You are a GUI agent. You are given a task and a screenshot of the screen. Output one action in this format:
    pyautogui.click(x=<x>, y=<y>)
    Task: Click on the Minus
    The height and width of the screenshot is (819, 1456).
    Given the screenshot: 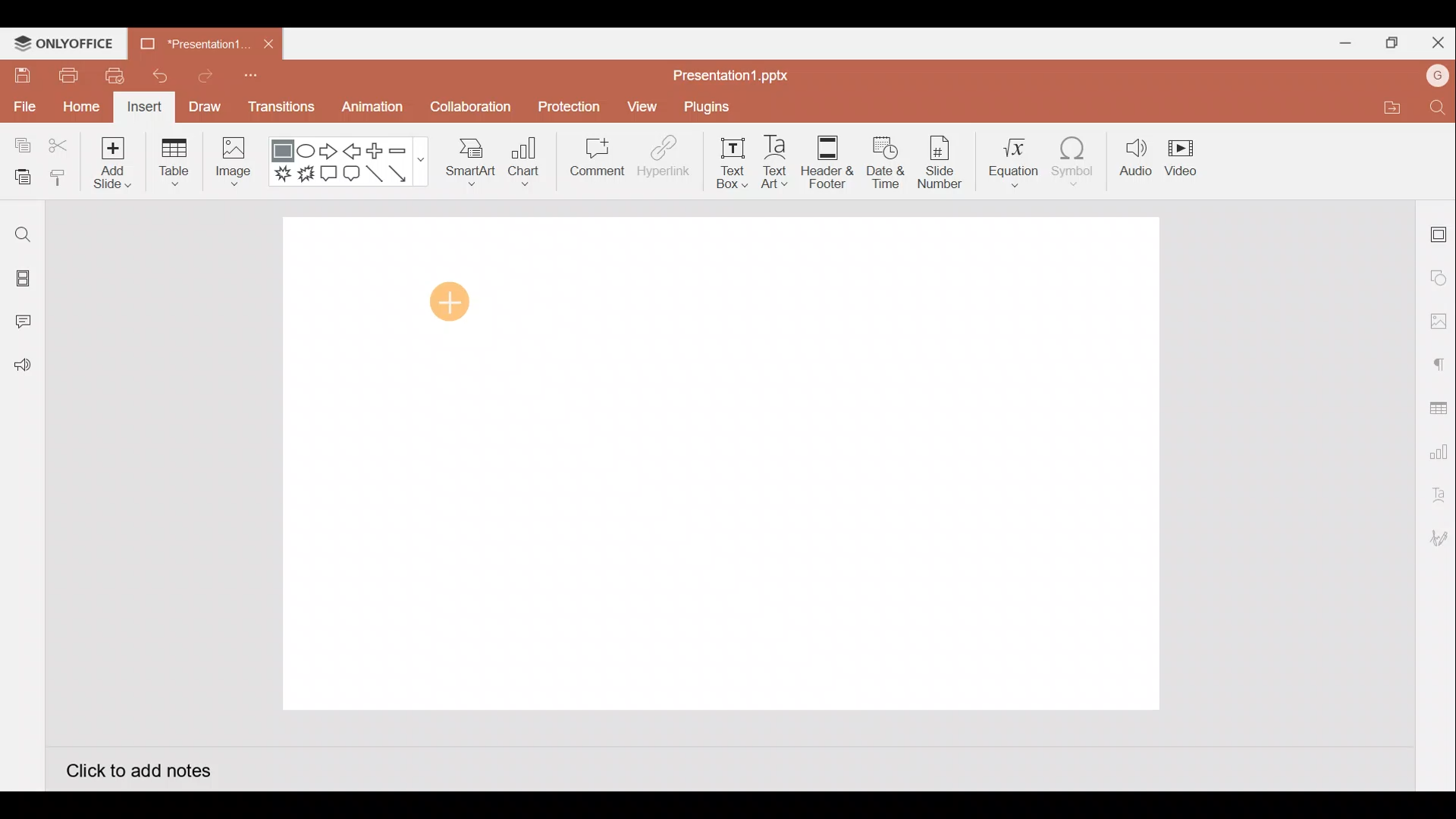 What is the action you would take?
    pyautogui.click(x=406, y=149)
    